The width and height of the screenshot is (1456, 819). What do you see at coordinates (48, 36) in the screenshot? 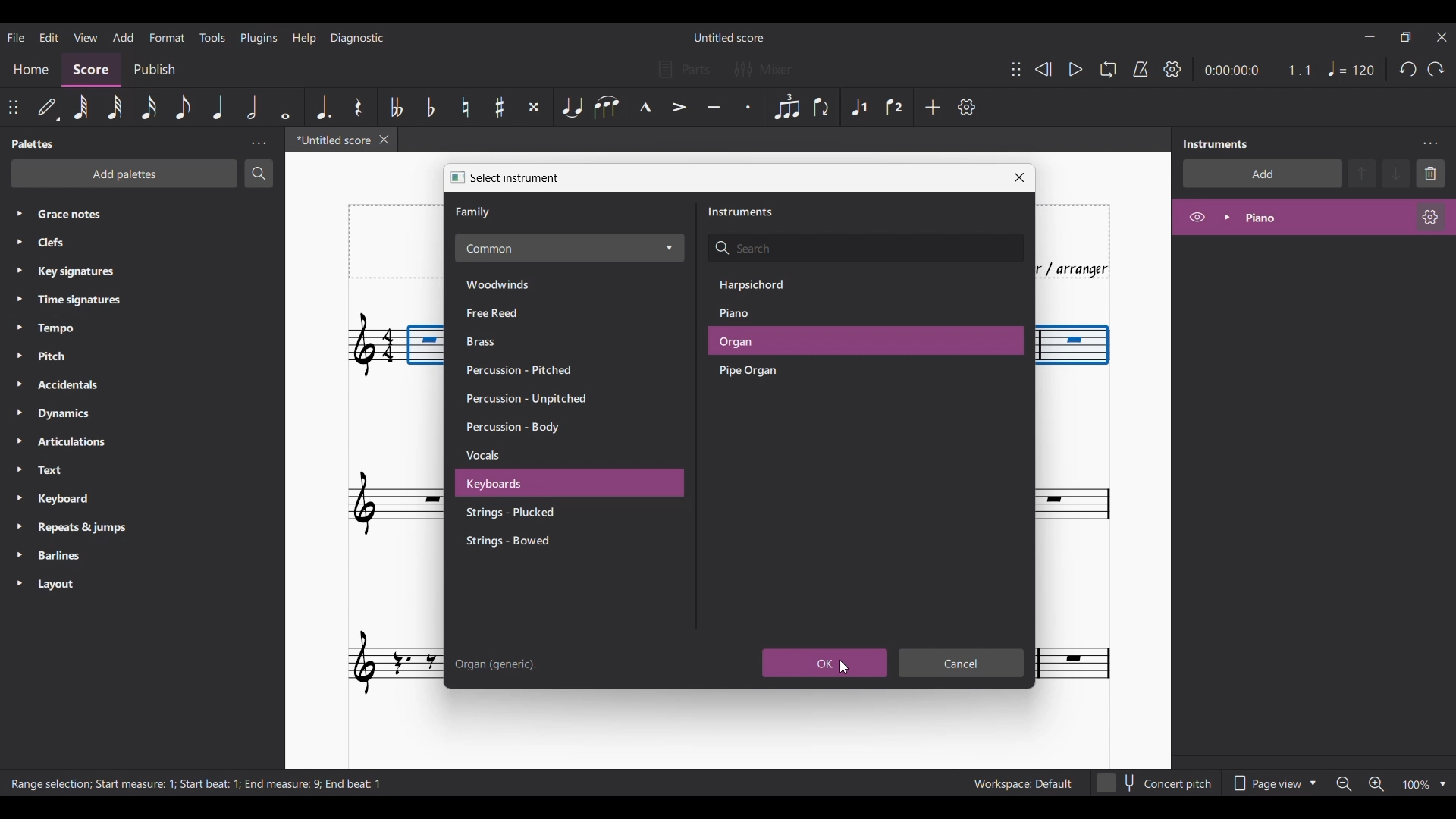
I see `Edit menu` at bounding box center [48, 36].